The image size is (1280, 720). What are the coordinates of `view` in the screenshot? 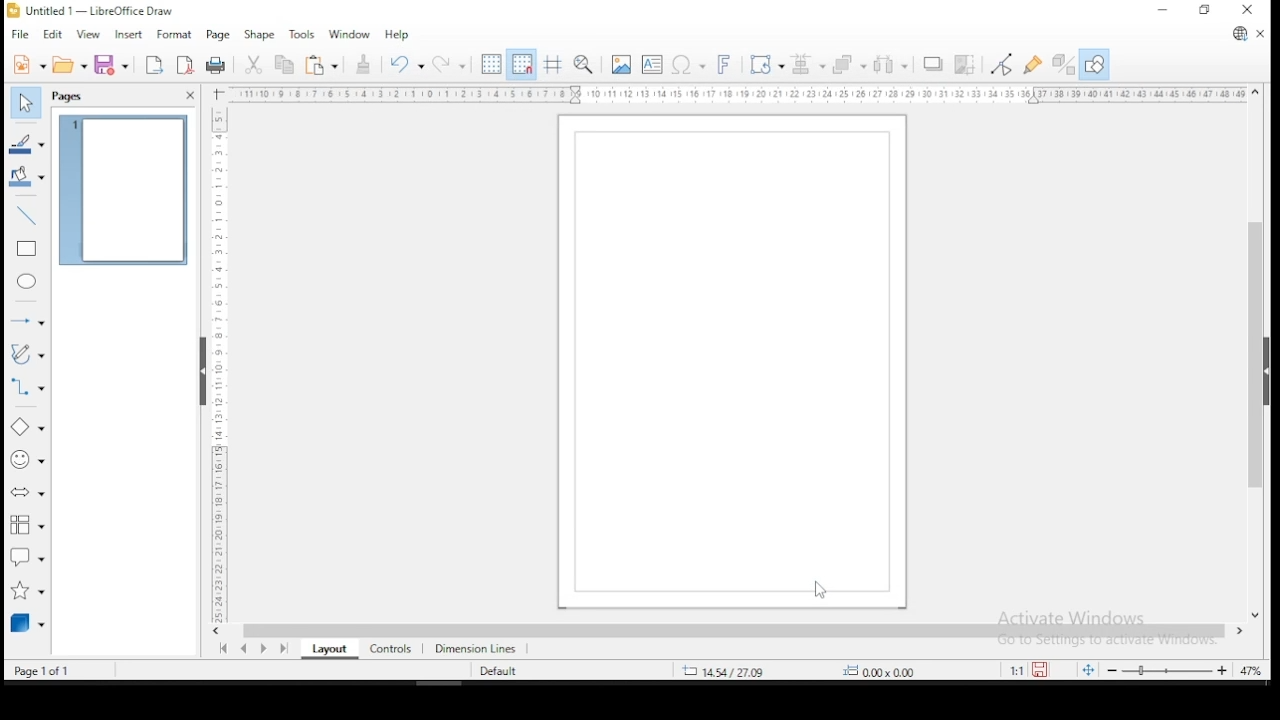 It's located at (89, 36).